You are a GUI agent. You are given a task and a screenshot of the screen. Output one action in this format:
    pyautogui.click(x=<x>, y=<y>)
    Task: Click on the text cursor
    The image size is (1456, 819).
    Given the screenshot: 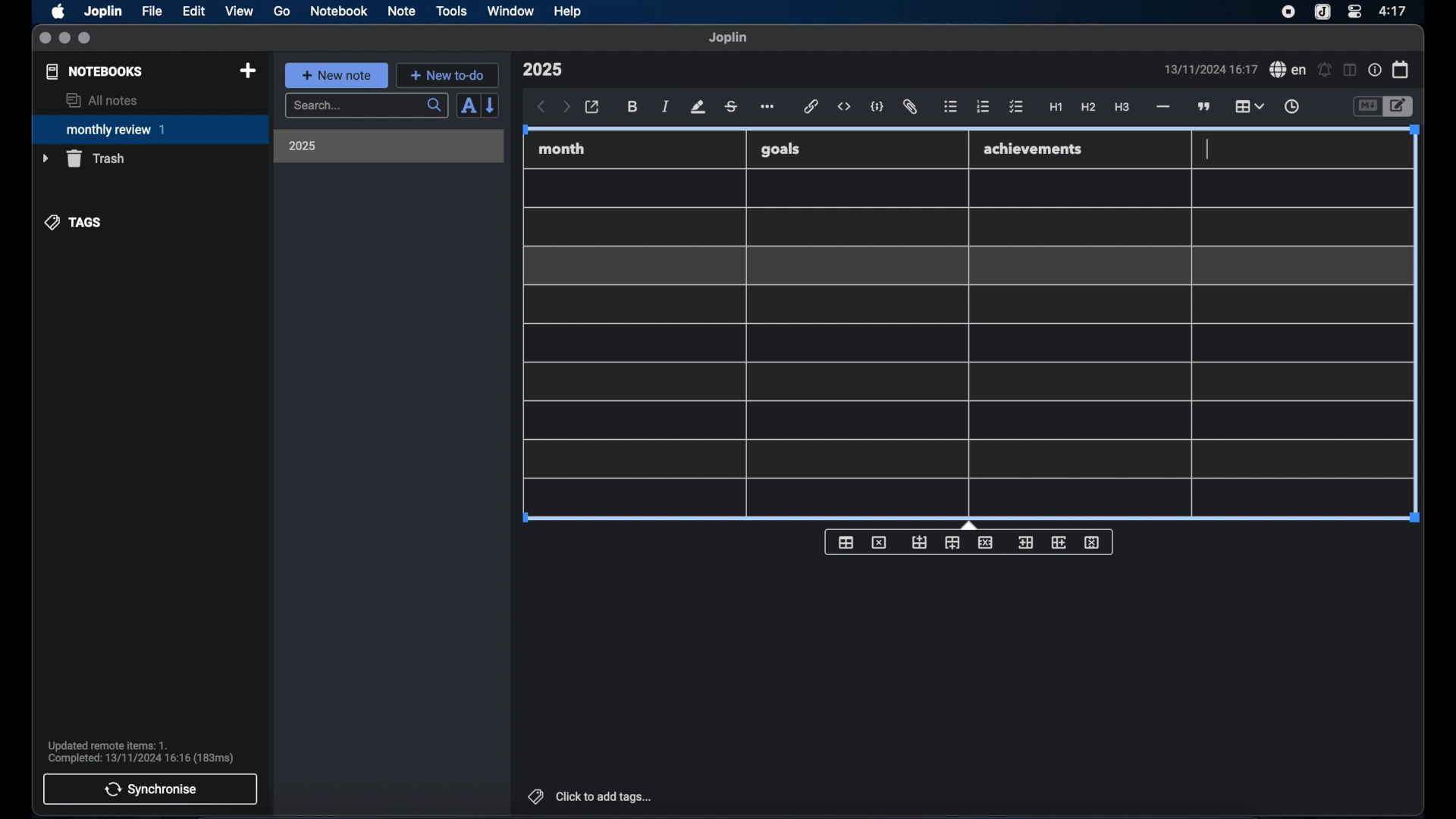 What is the action you would take?
    pyautogui.click(x=1207, y=150)
    